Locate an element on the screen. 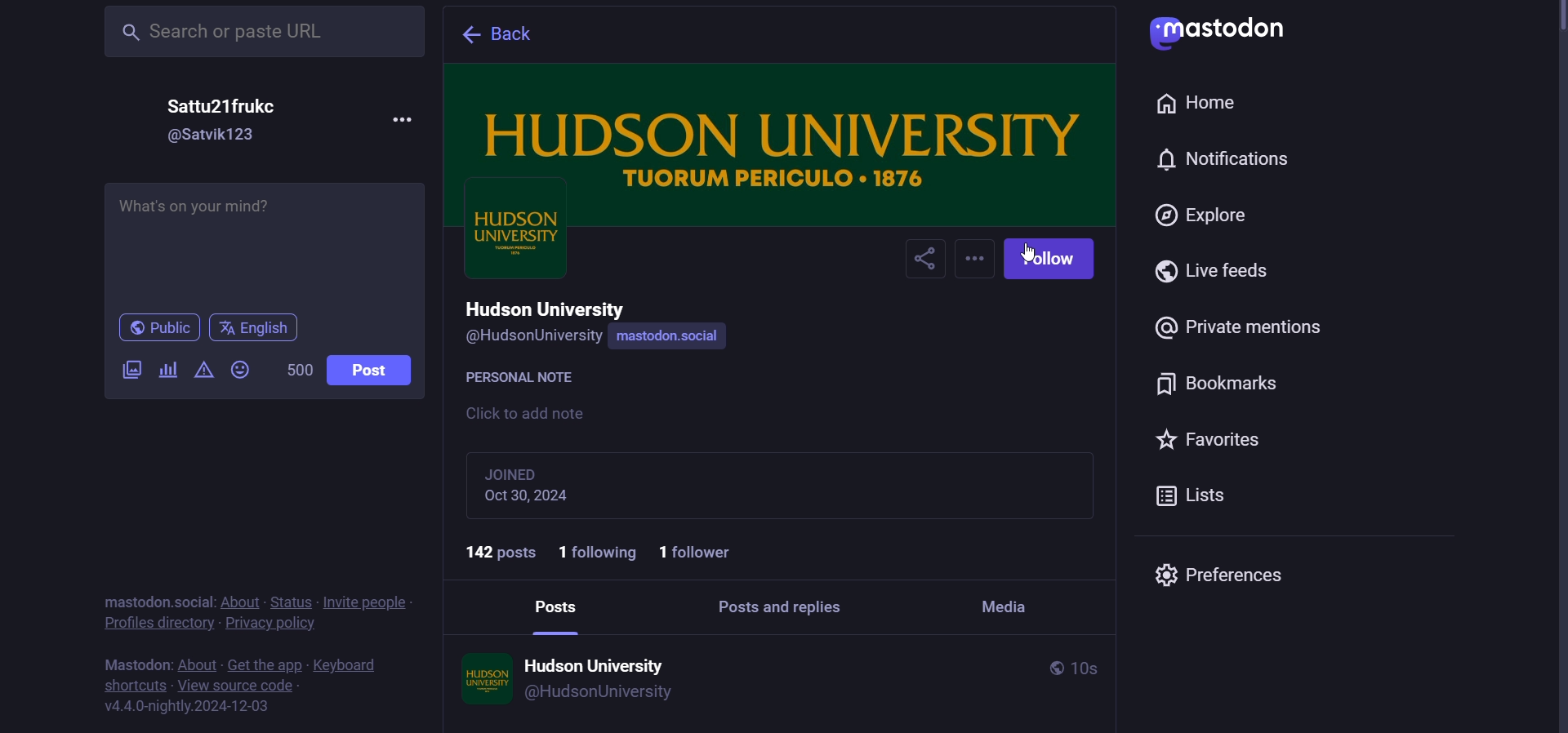 Image resolution: width=1568 pixels, height=733 pixels. public is located at coordinates (1053, 668).